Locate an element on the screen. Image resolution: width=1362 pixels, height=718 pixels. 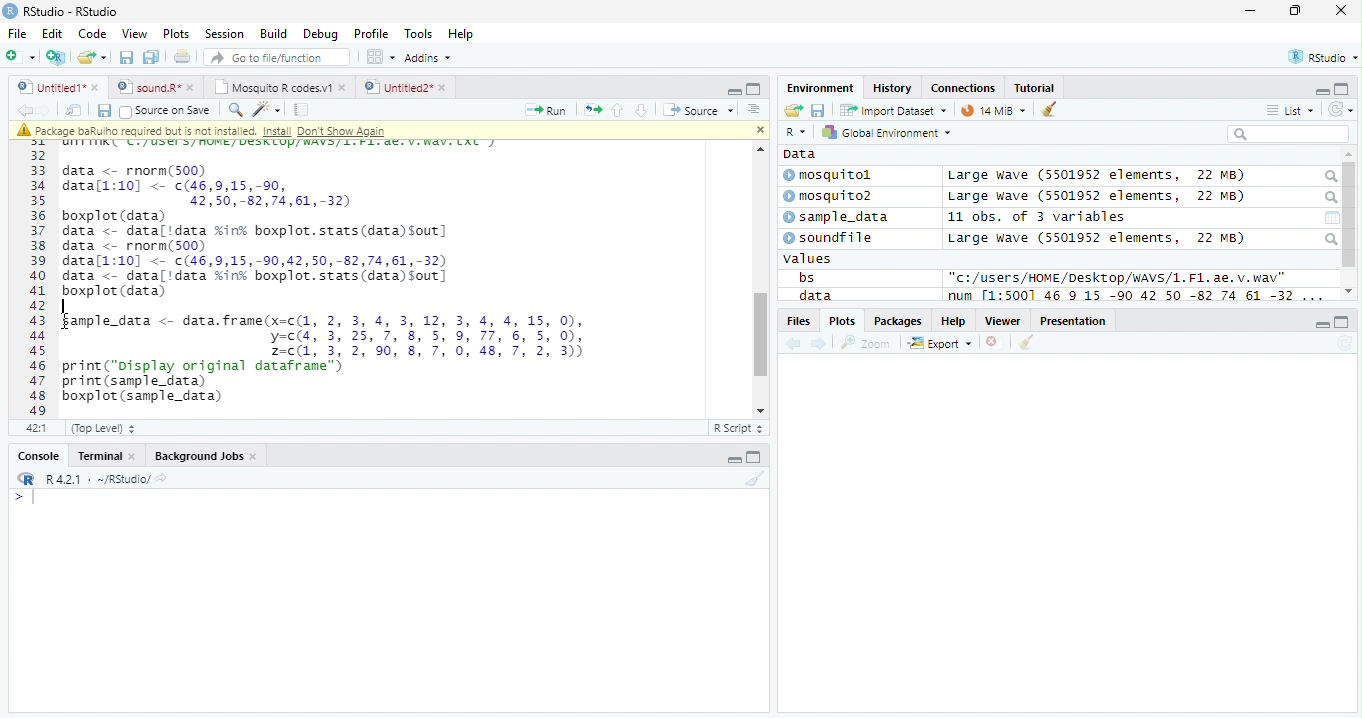
full screen is located at coordinates (1343, 322).